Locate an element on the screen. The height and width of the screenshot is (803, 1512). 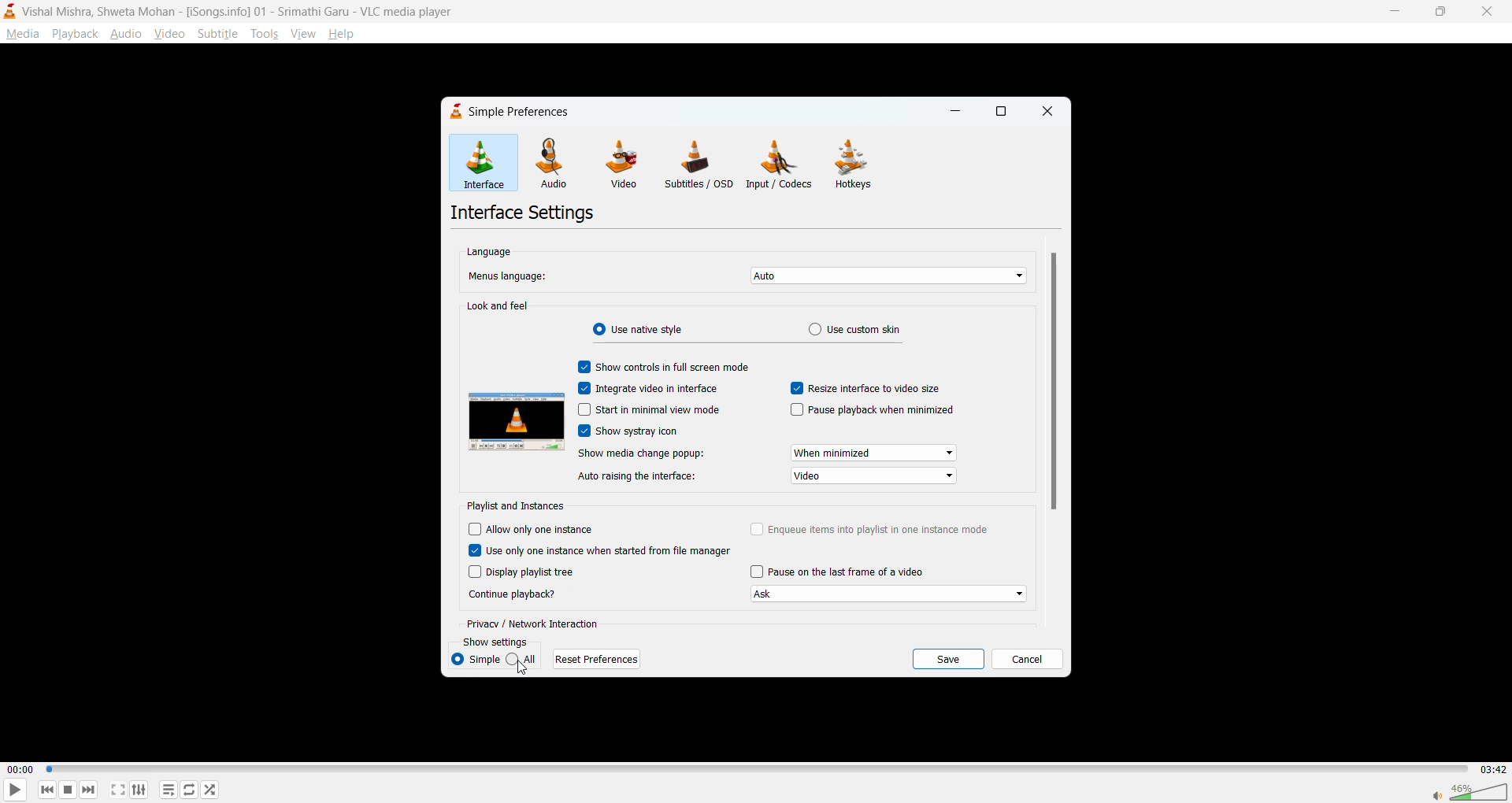
allow only one instance is located at coordinates (533, 532).